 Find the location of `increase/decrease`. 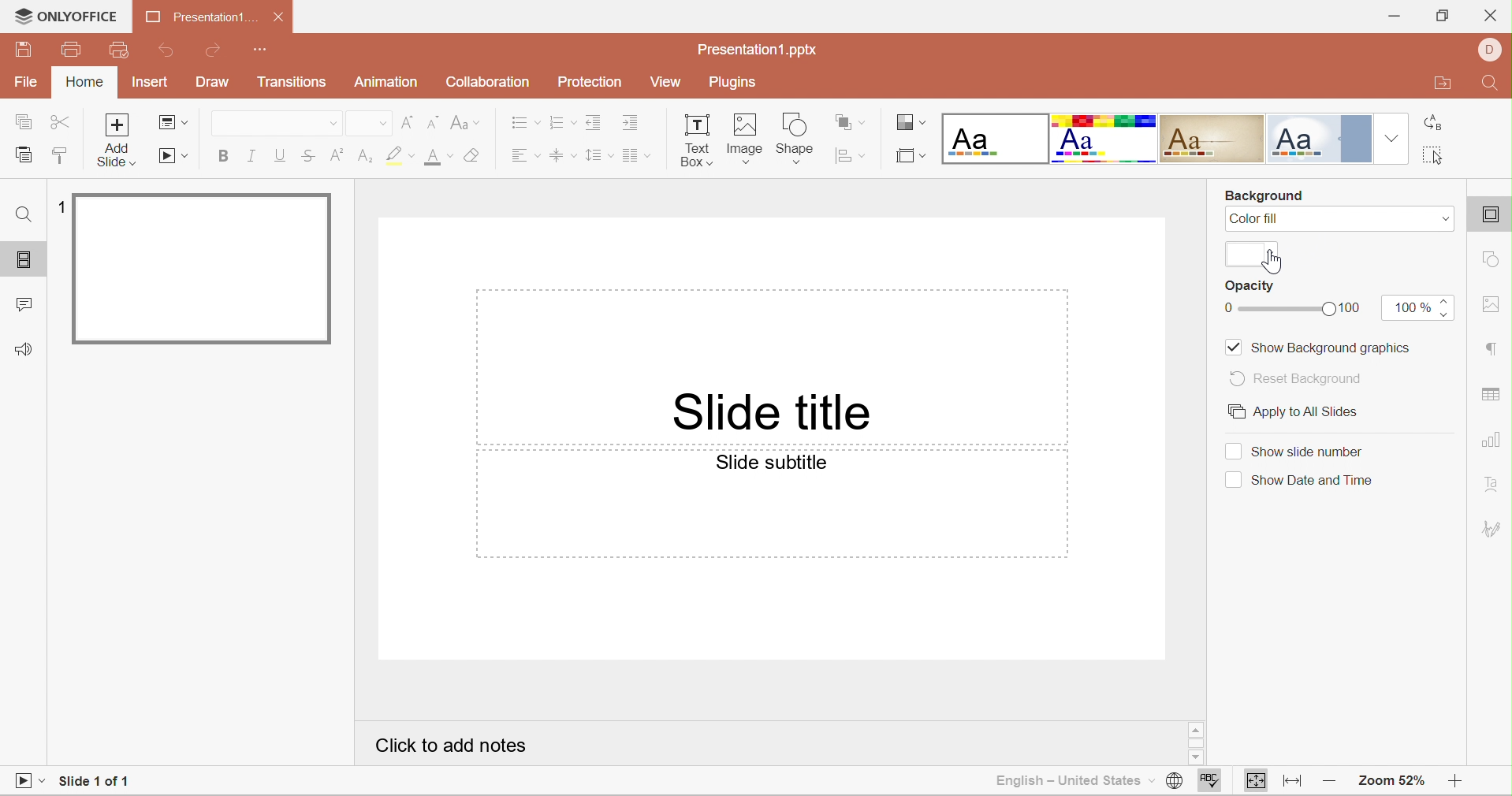

increase/decrease is located at coordinates (1443, 308).